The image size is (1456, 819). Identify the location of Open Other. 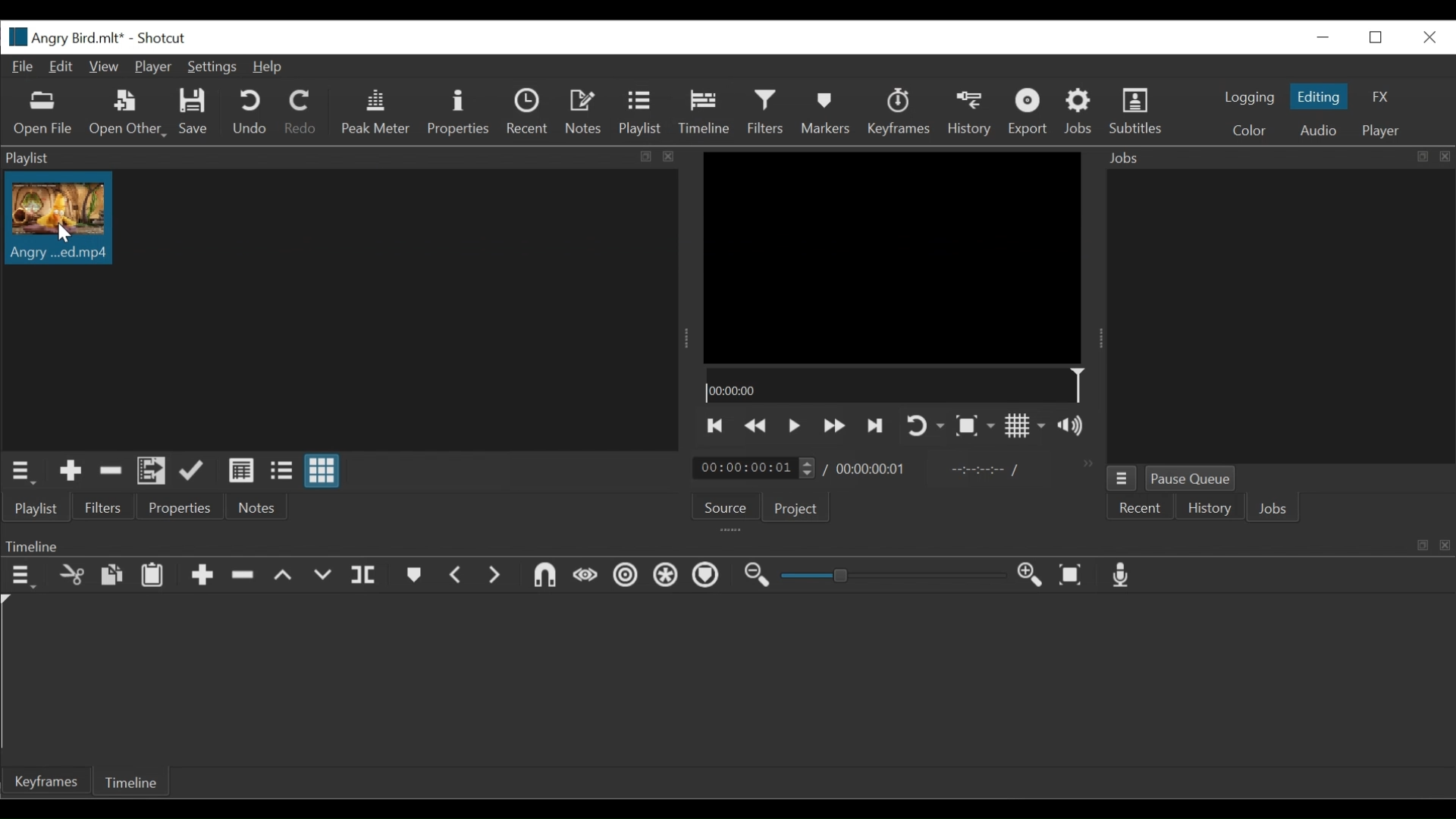
(128, 114).